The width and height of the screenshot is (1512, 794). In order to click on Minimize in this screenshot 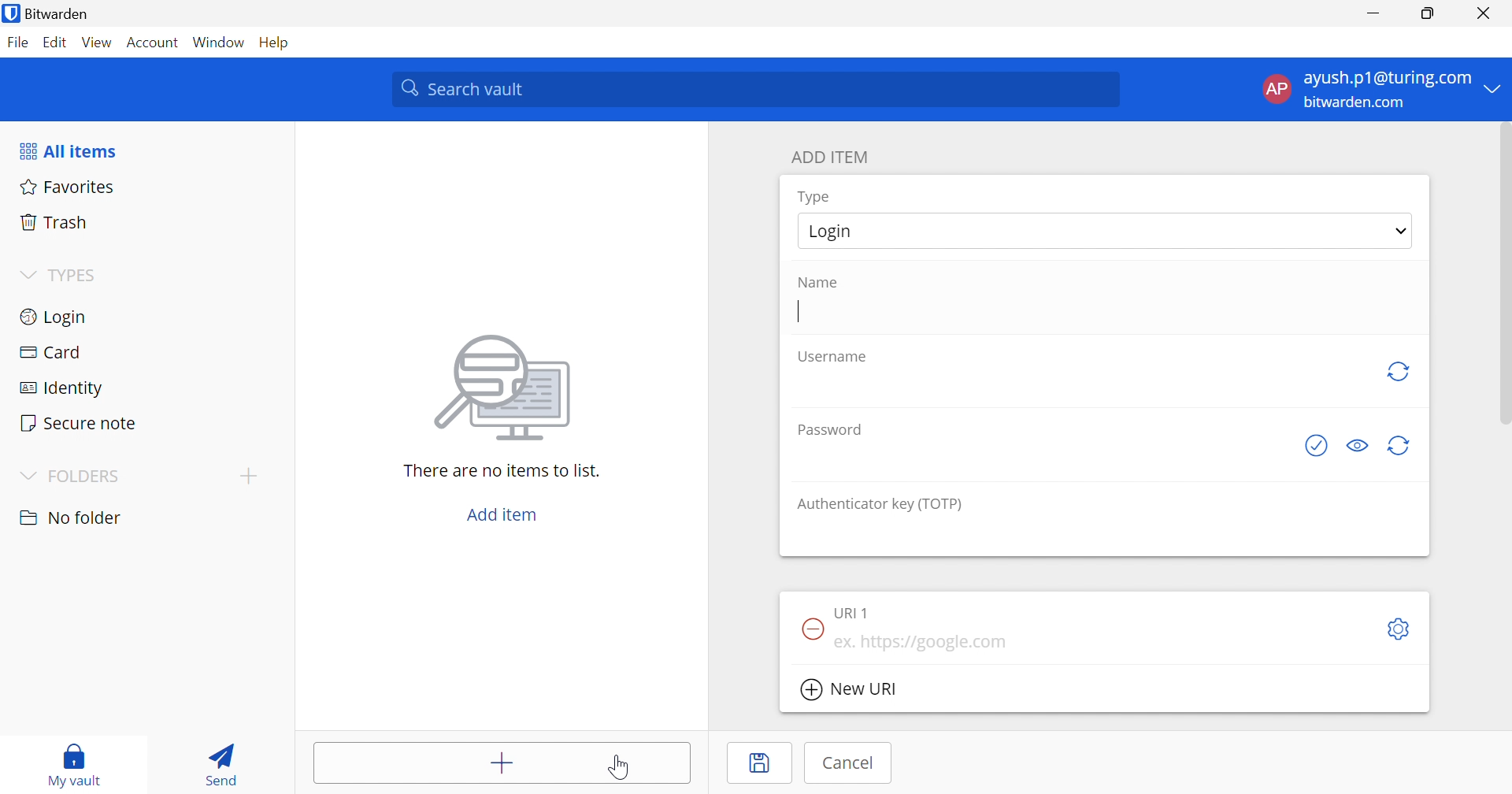, I will do `click(1373, 14)`.